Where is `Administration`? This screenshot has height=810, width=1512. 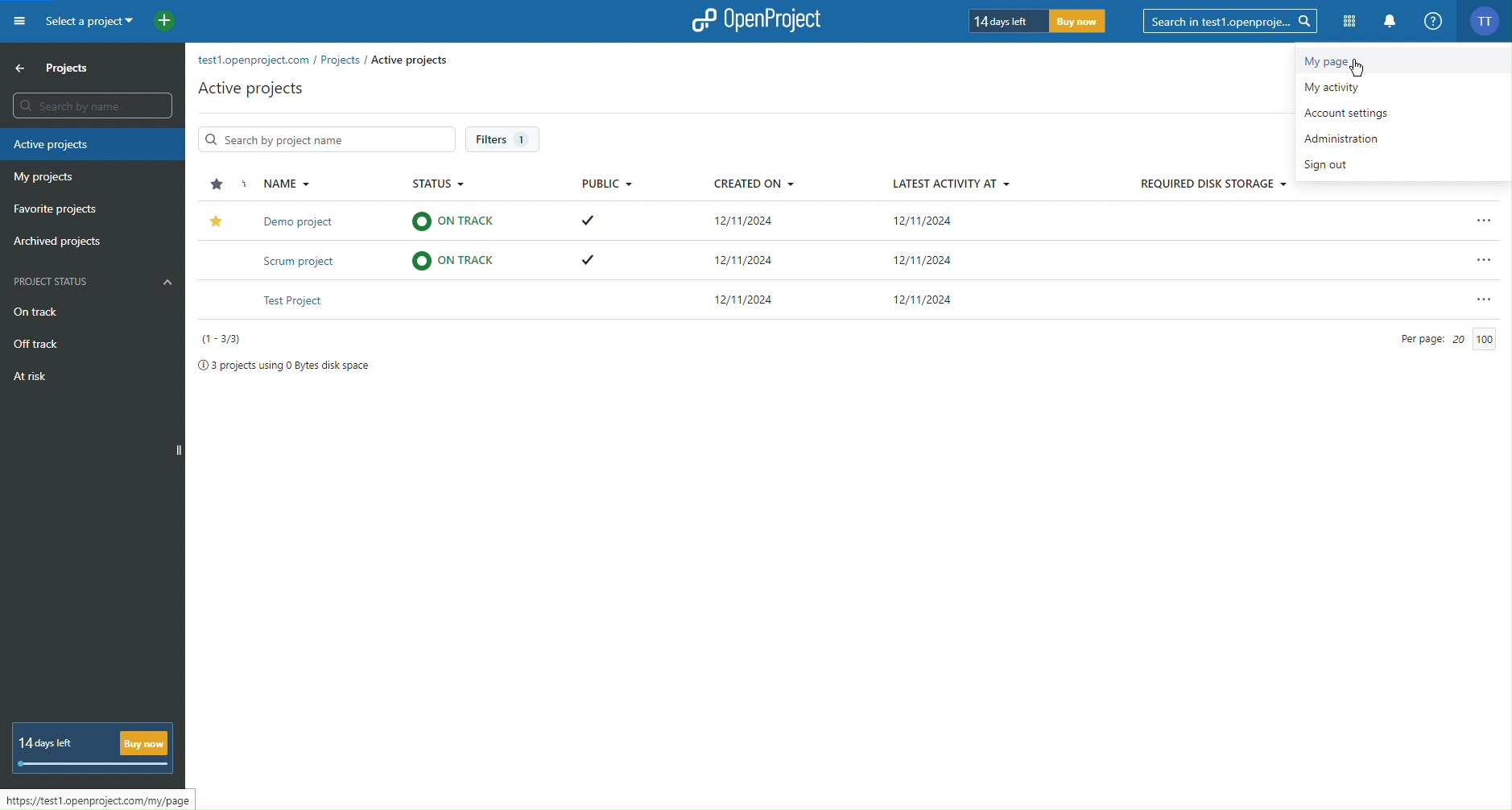 Administration is located at coordinates (1352, 137).